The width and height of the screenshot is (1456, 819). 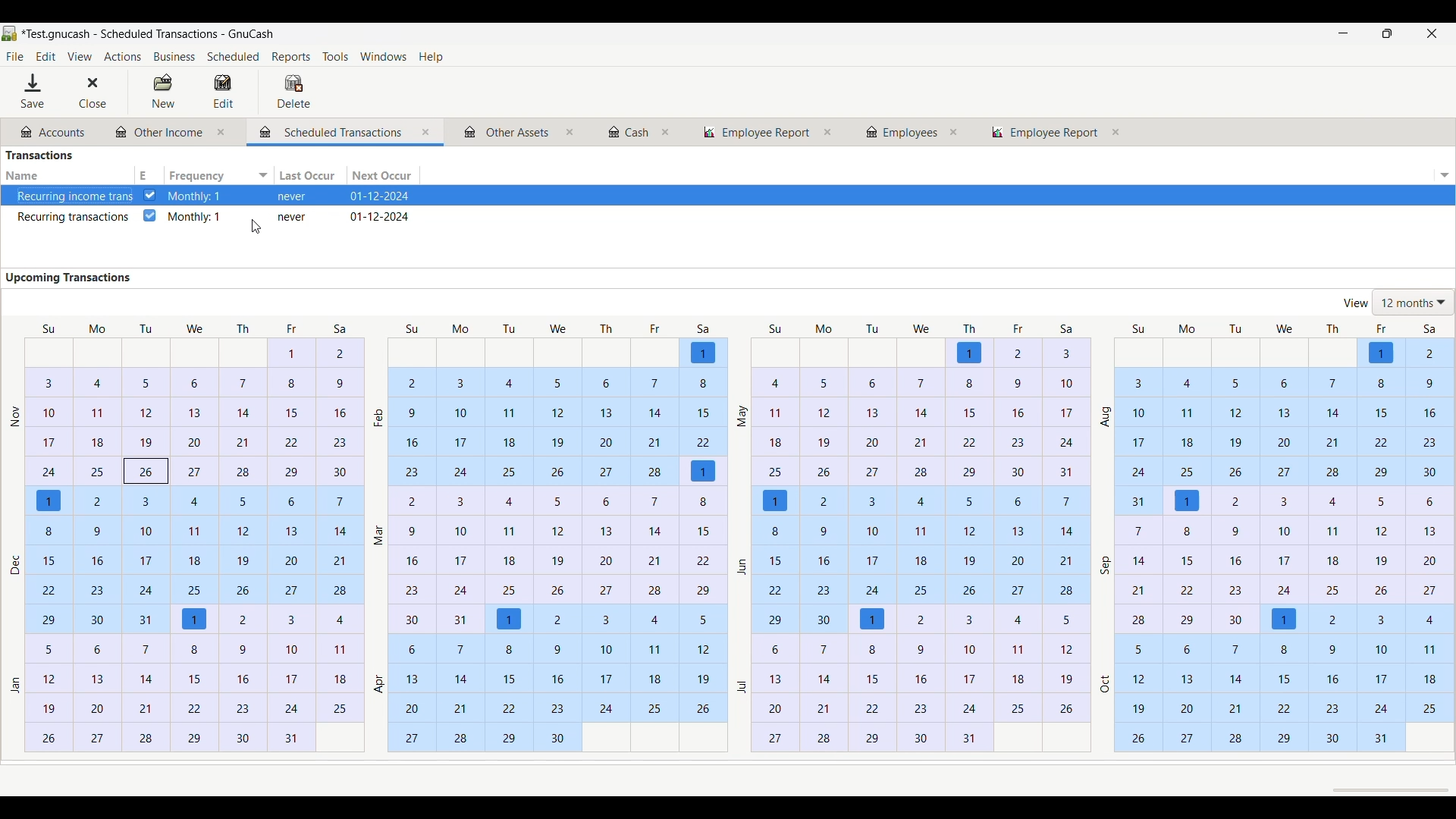 I want to click on Project name changed, so click(x=159, y=33).